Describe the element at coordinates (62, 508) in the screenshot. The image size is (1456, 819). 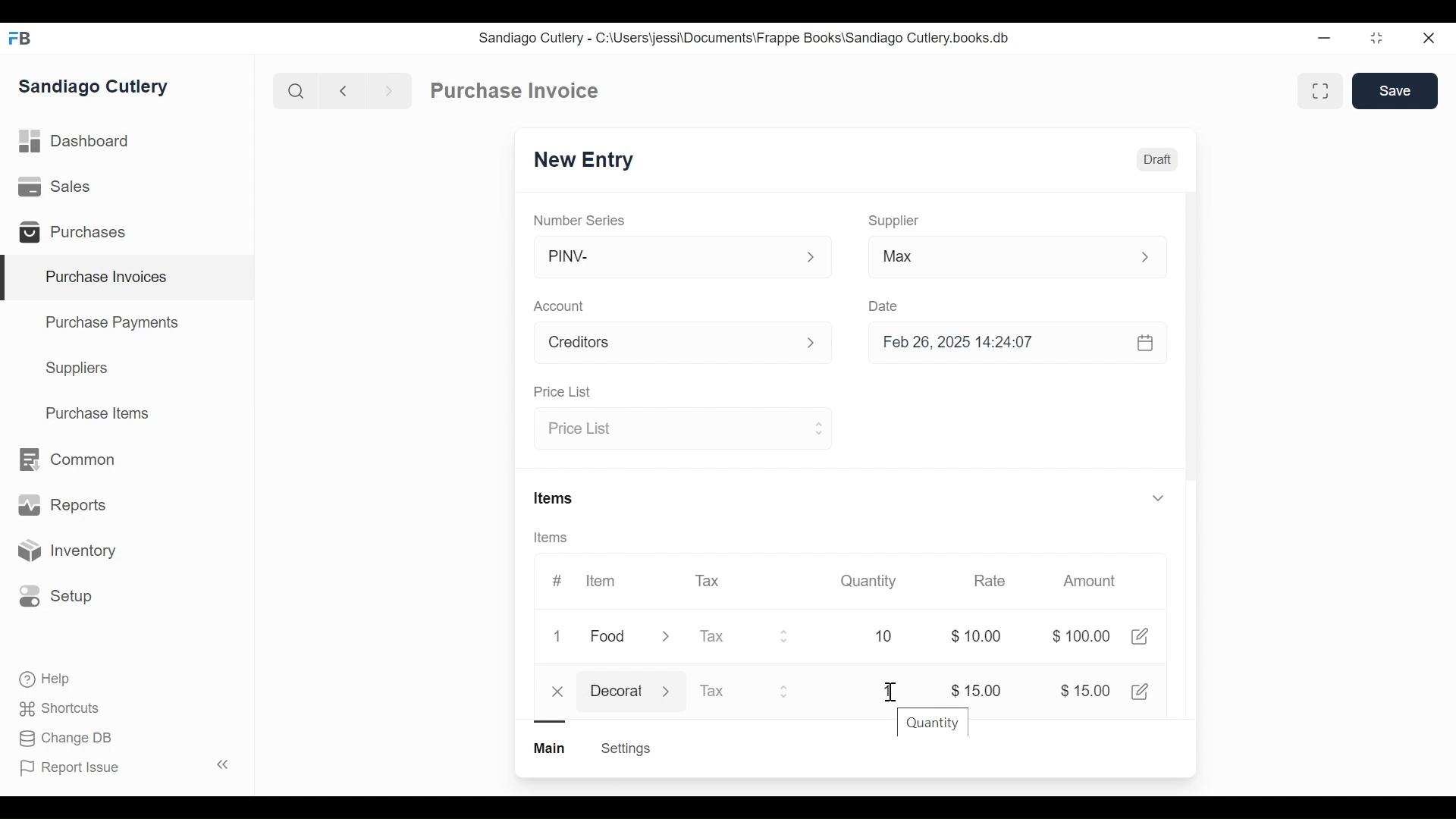
I see `Reports` at that location.